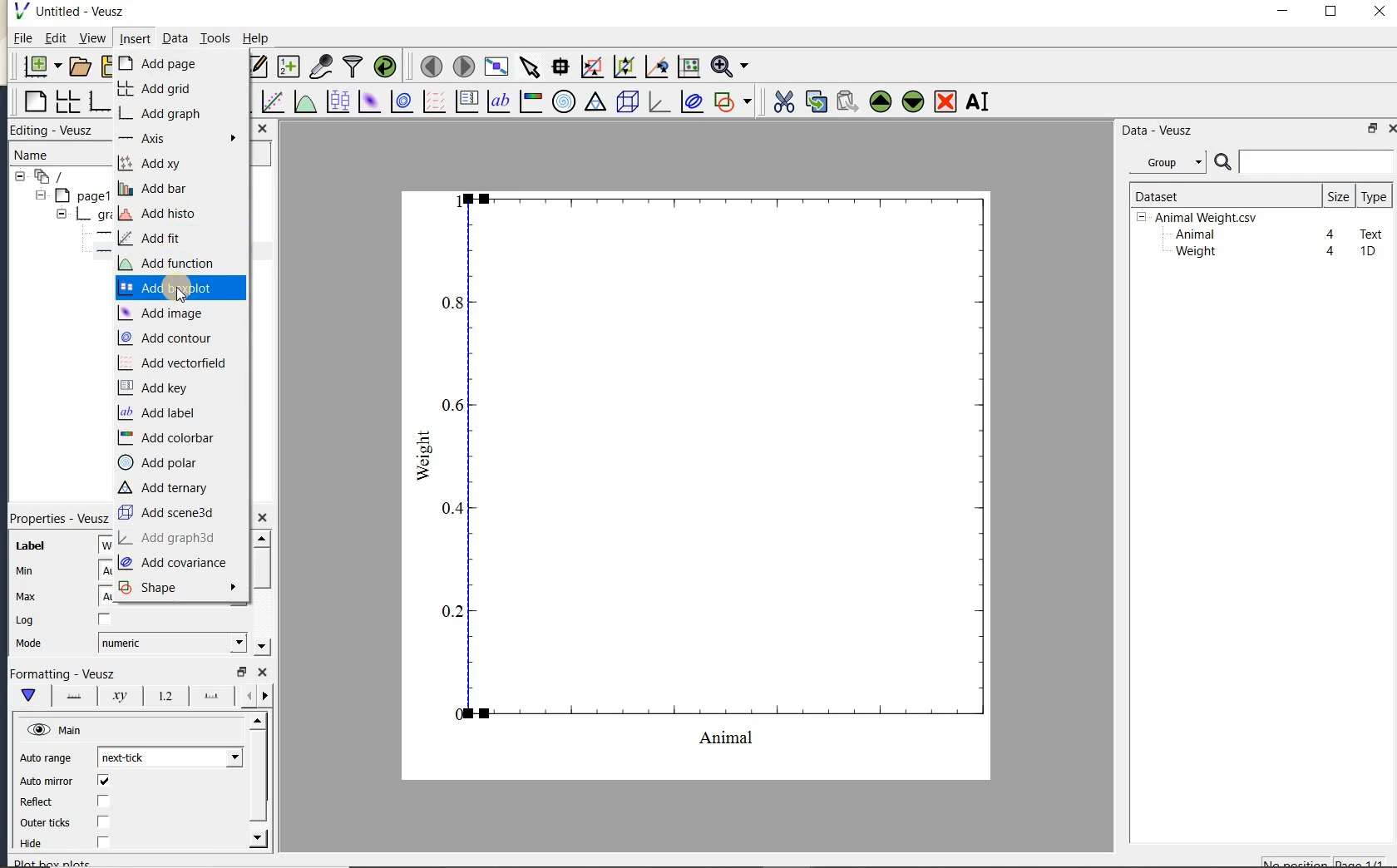  I want to click on 4, so click(1331, 235).